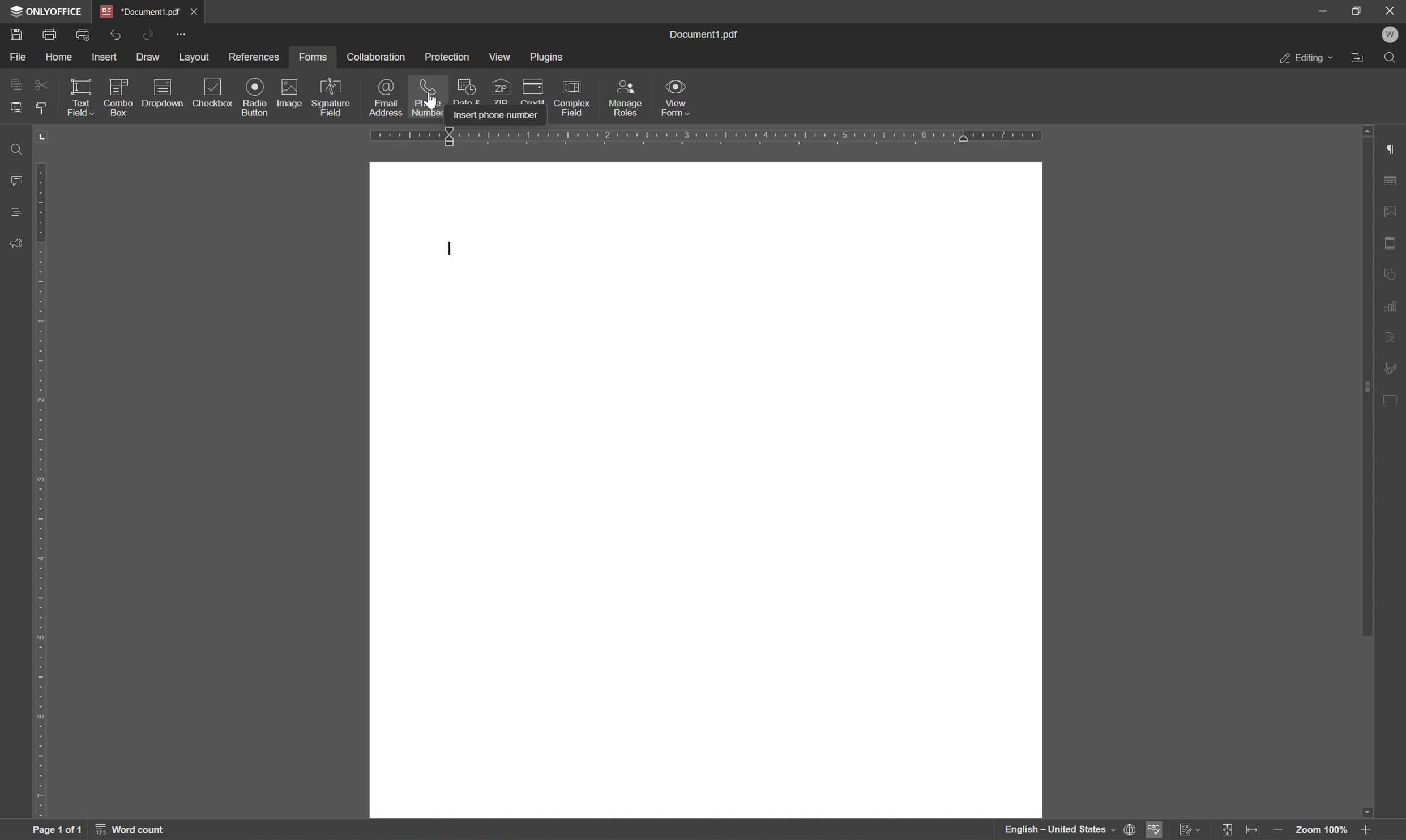 The width and height of the screenshot is (1406, 840). What do you see at coordinates (1365, 130) in the screenshot?
I see `scroll up` at bounding box center [1365, 130].